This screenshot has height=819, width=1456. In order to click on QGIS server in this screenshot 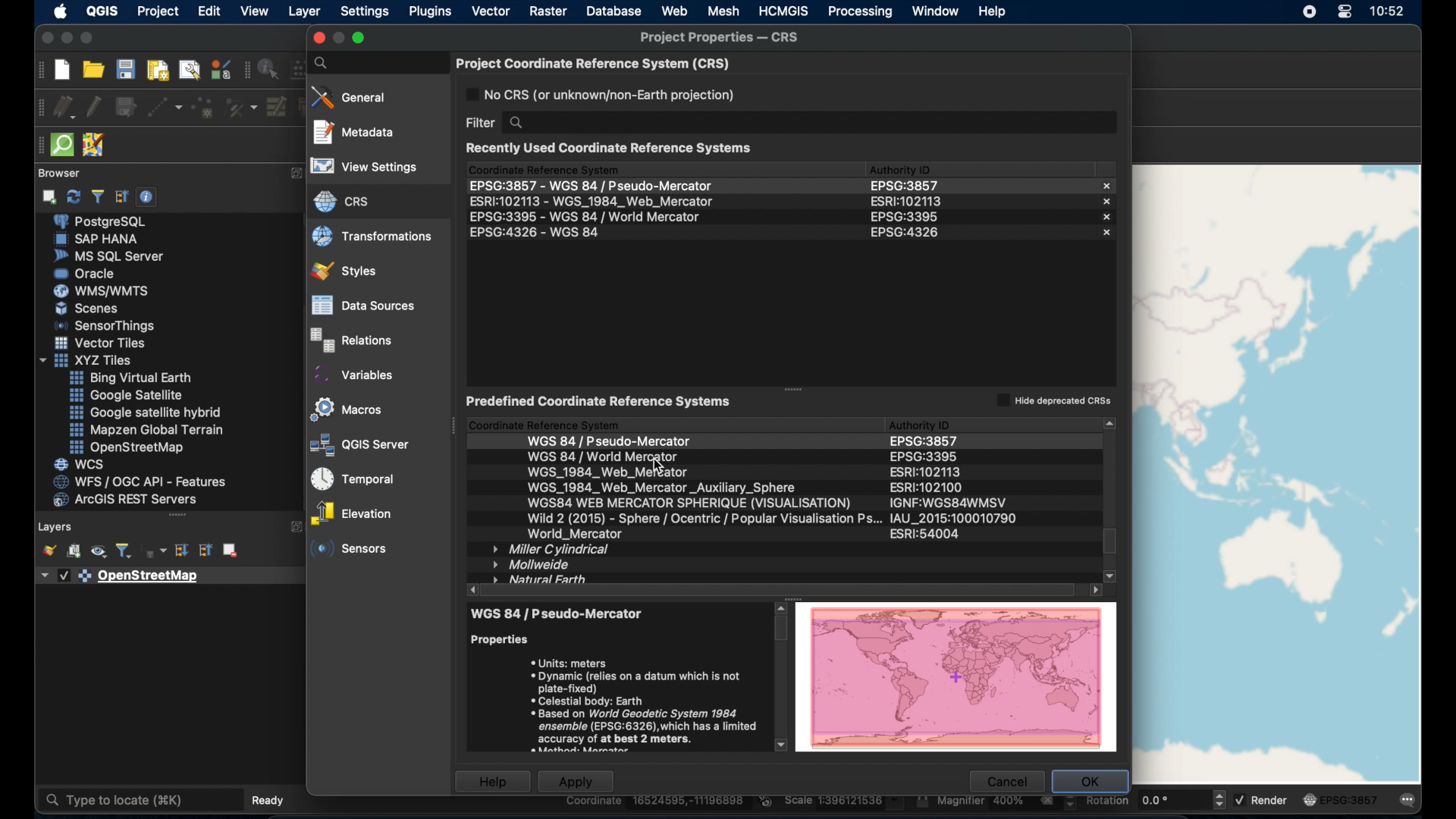, I will do `click(356, 444)`.